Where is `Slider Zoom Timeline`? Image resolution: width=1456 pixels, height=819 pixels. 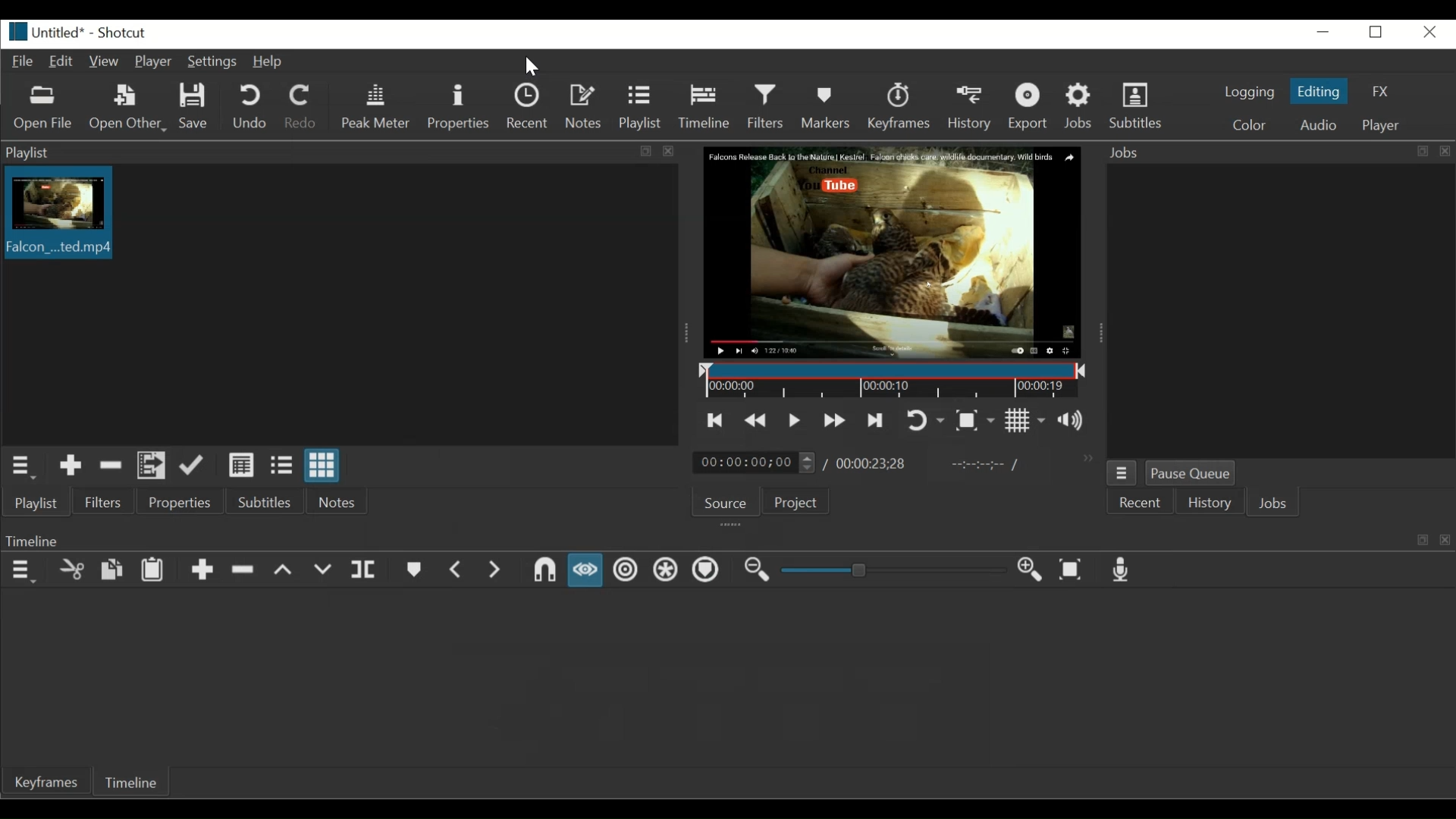 Slider Zoom Timeline is located at coordinates (891, 570).